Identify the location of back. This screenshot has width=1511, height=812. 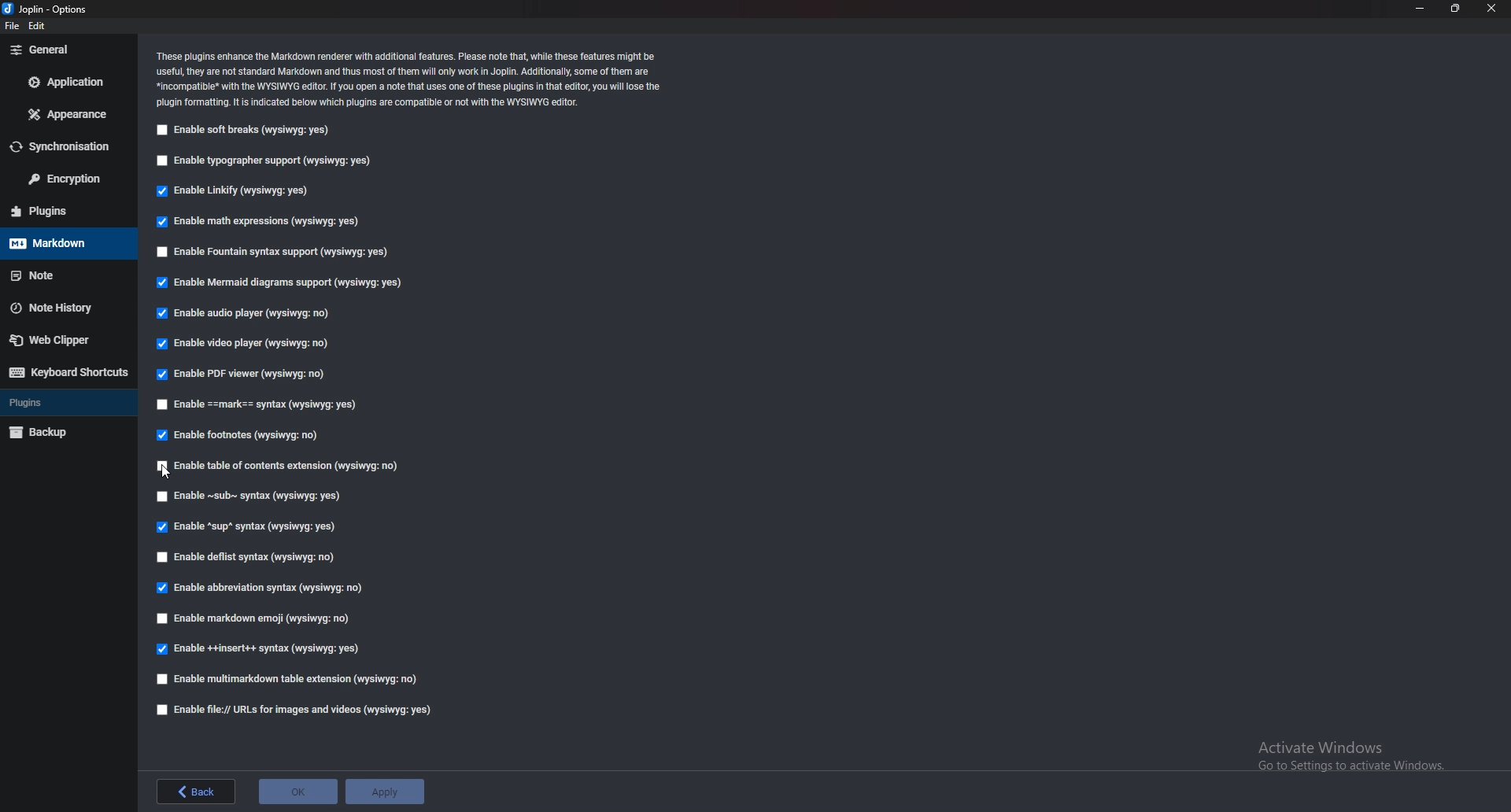
(196, 792).